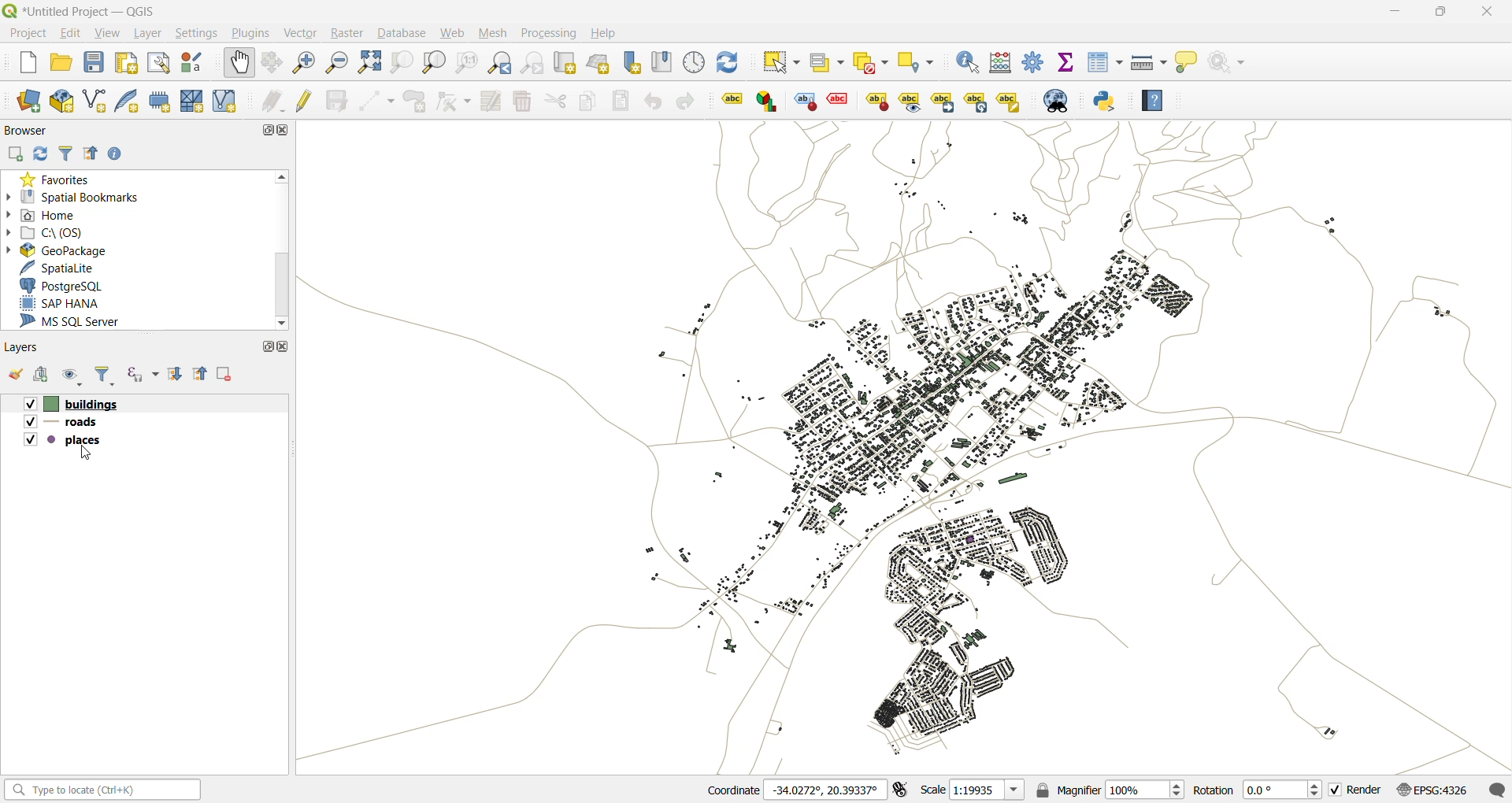  I want to click on new shapefile, so click(91, 101).